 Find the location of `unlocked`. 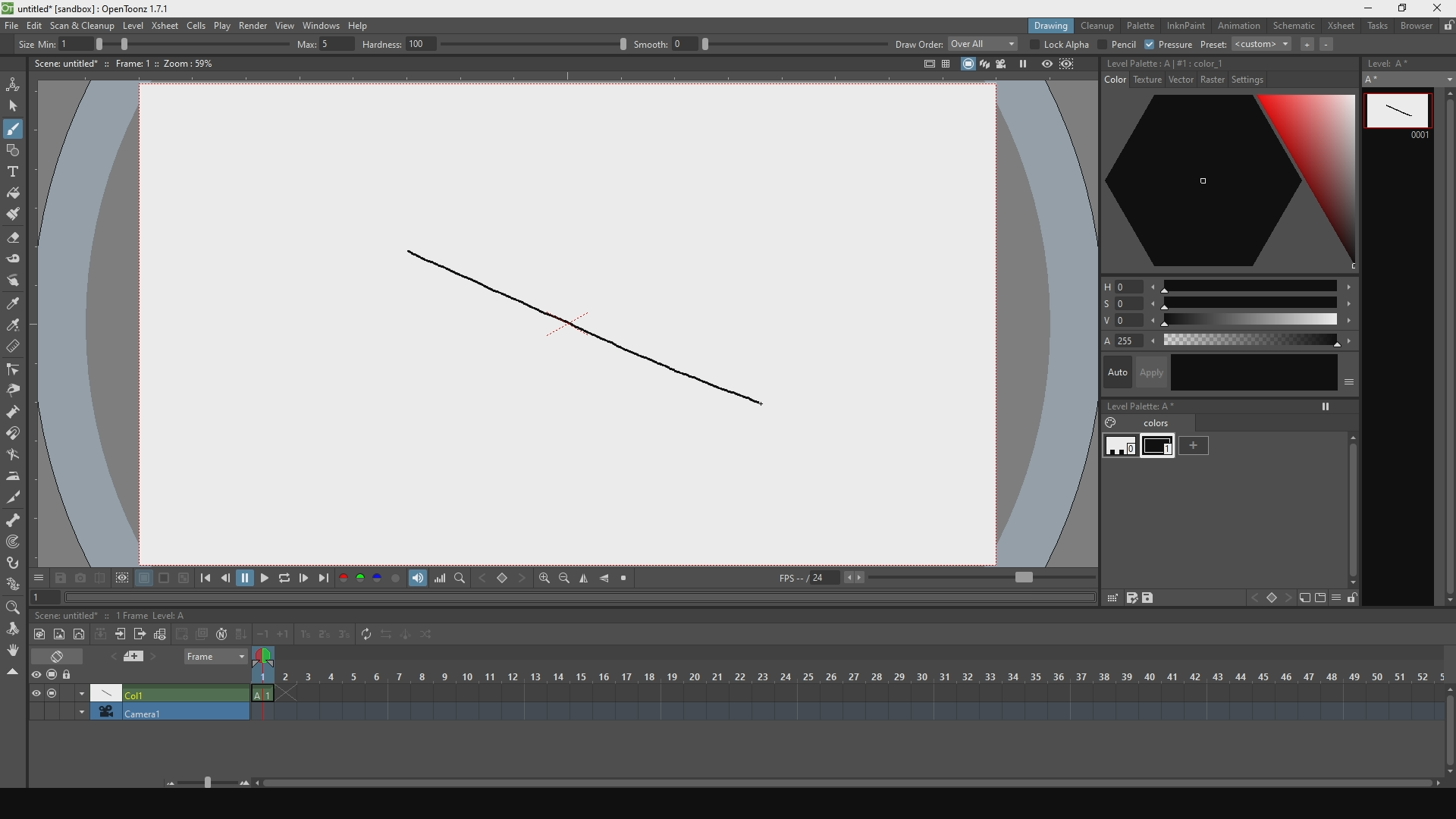

unlocked is located at coordinates (1350, 598).